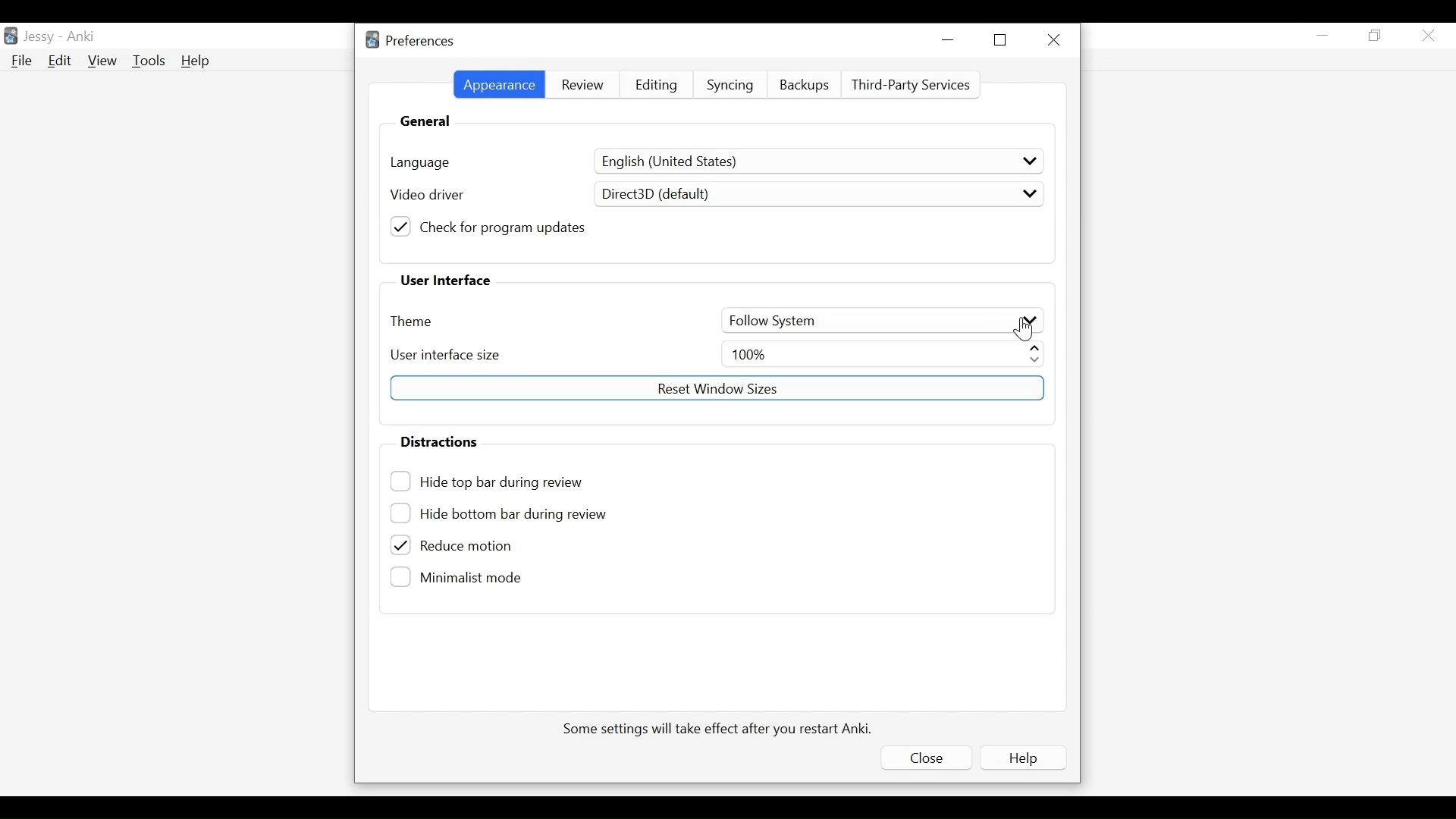  Describe the element at coordinates (657, 86) in the screenshot. I see `Editing` at that location.